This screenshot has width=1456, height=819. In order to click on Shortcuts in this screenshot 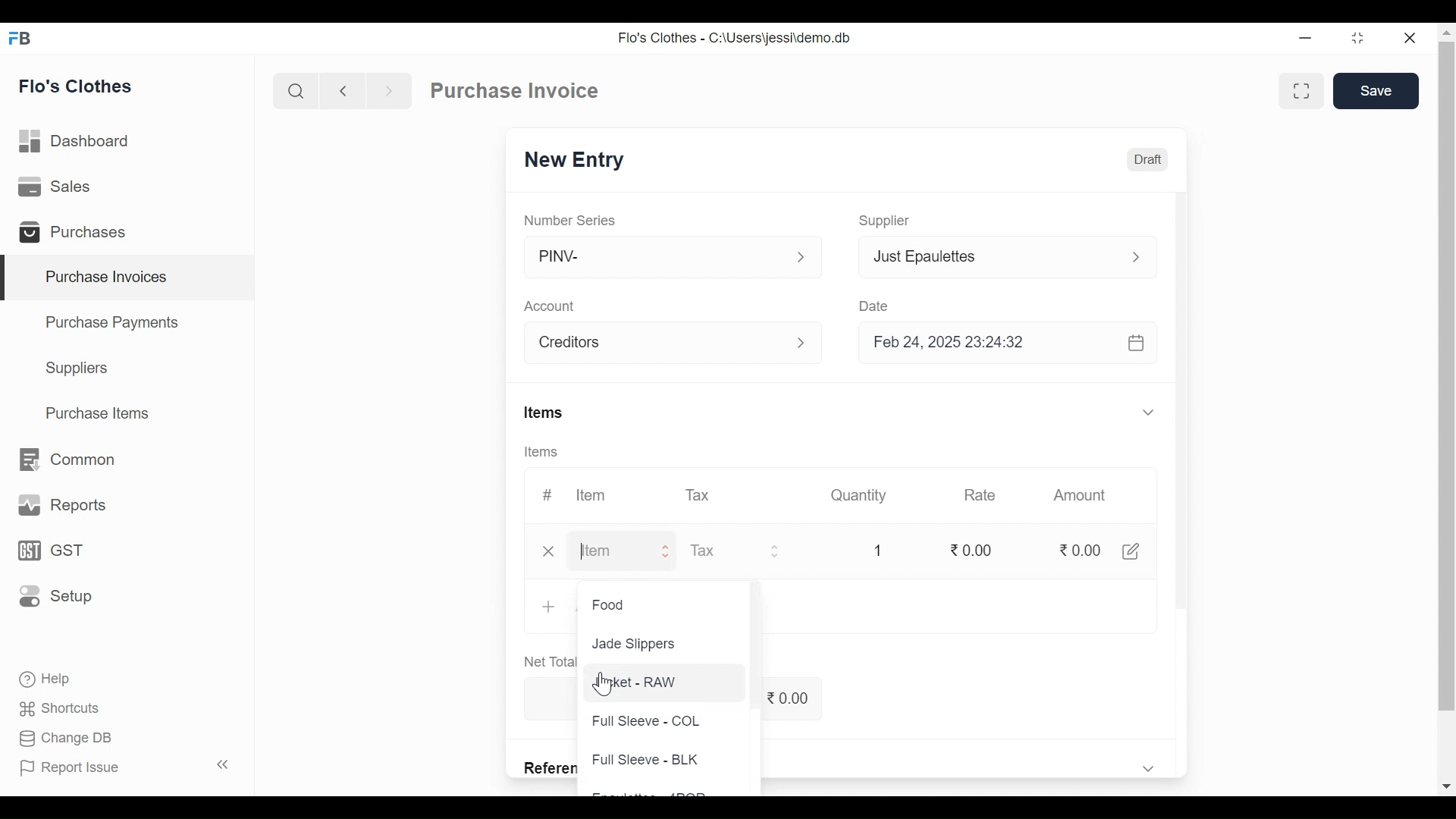, I will do `click(60, 710)`.